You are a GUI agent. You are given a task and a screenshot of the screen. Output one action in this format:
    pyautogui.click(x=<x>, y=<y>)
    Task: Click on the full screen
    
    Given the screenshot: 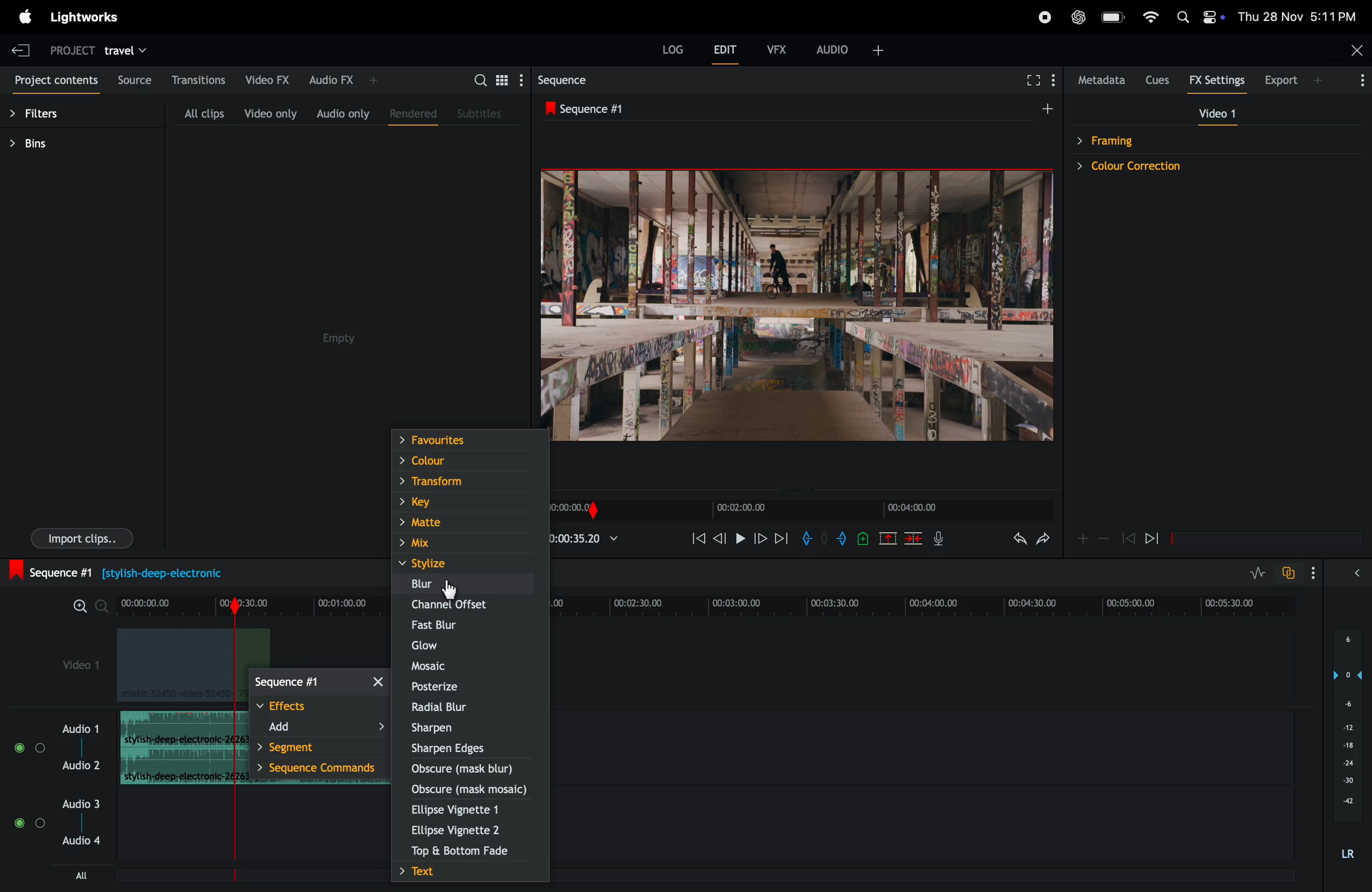 What is the action you would take?
    pyautogui.click(x=1032, y=78)
    